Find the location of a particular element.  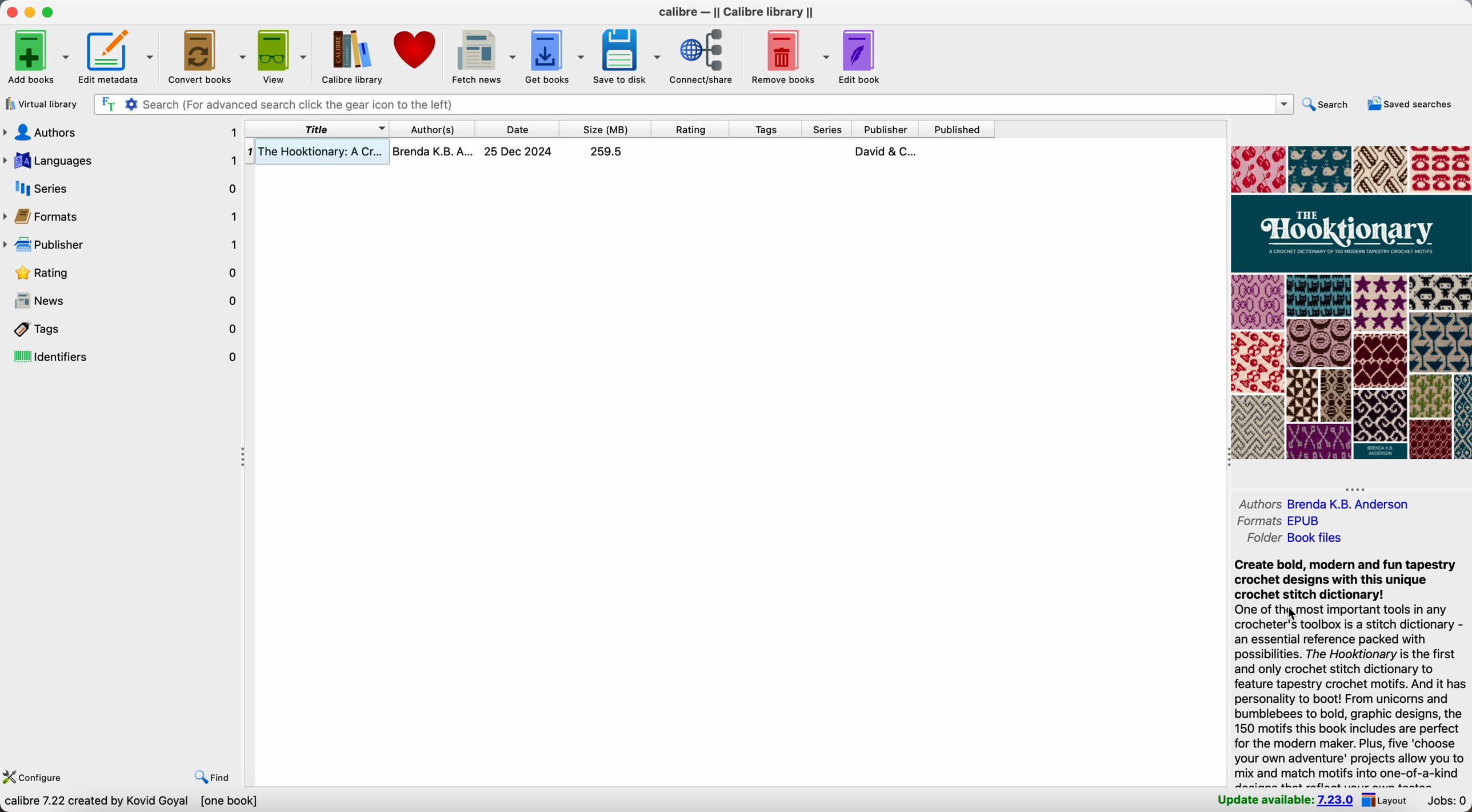

cursor is located at coordinates (1290, 616).